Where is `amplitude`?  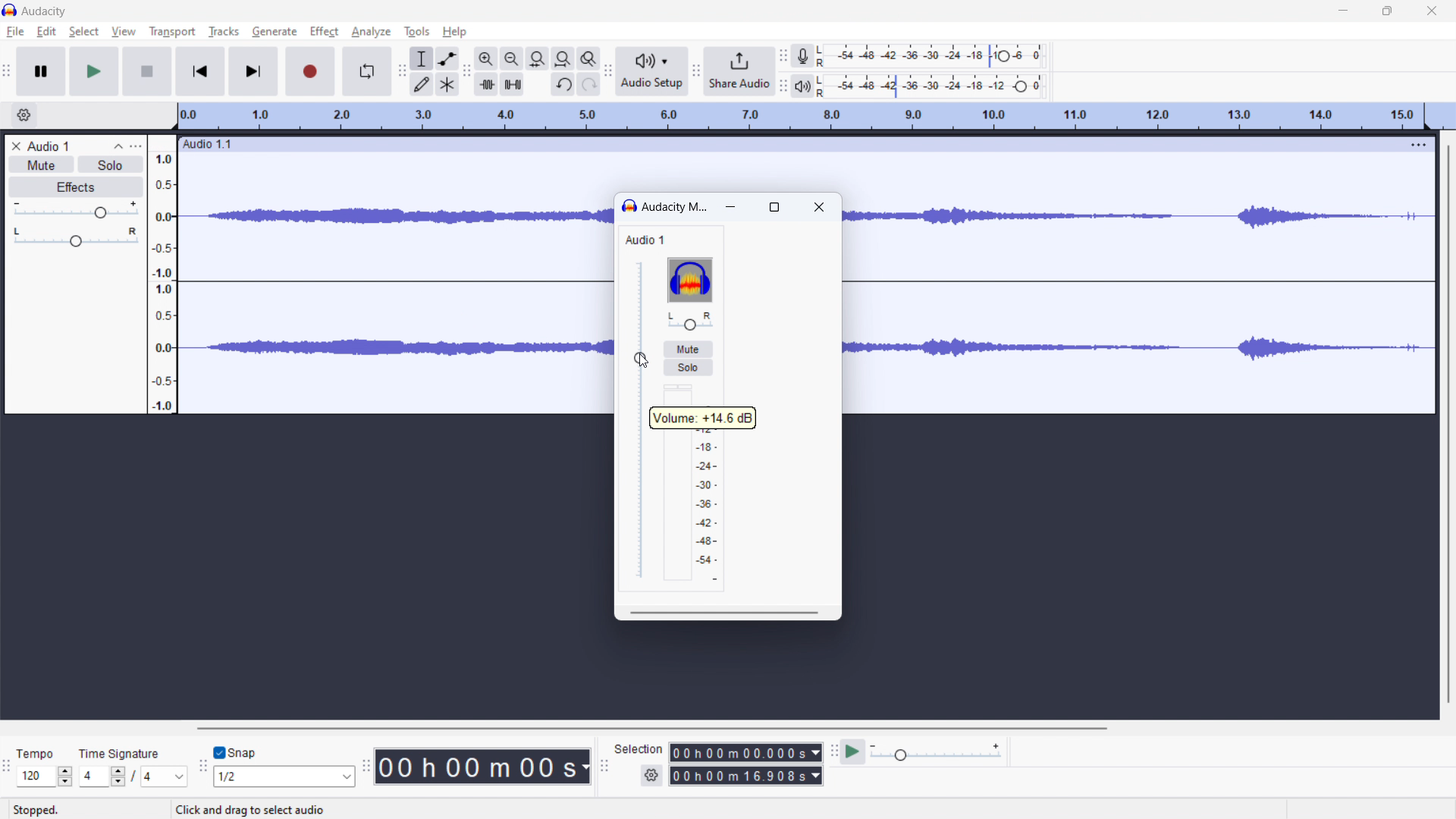
amplitude is located at coordinates (163, 275).